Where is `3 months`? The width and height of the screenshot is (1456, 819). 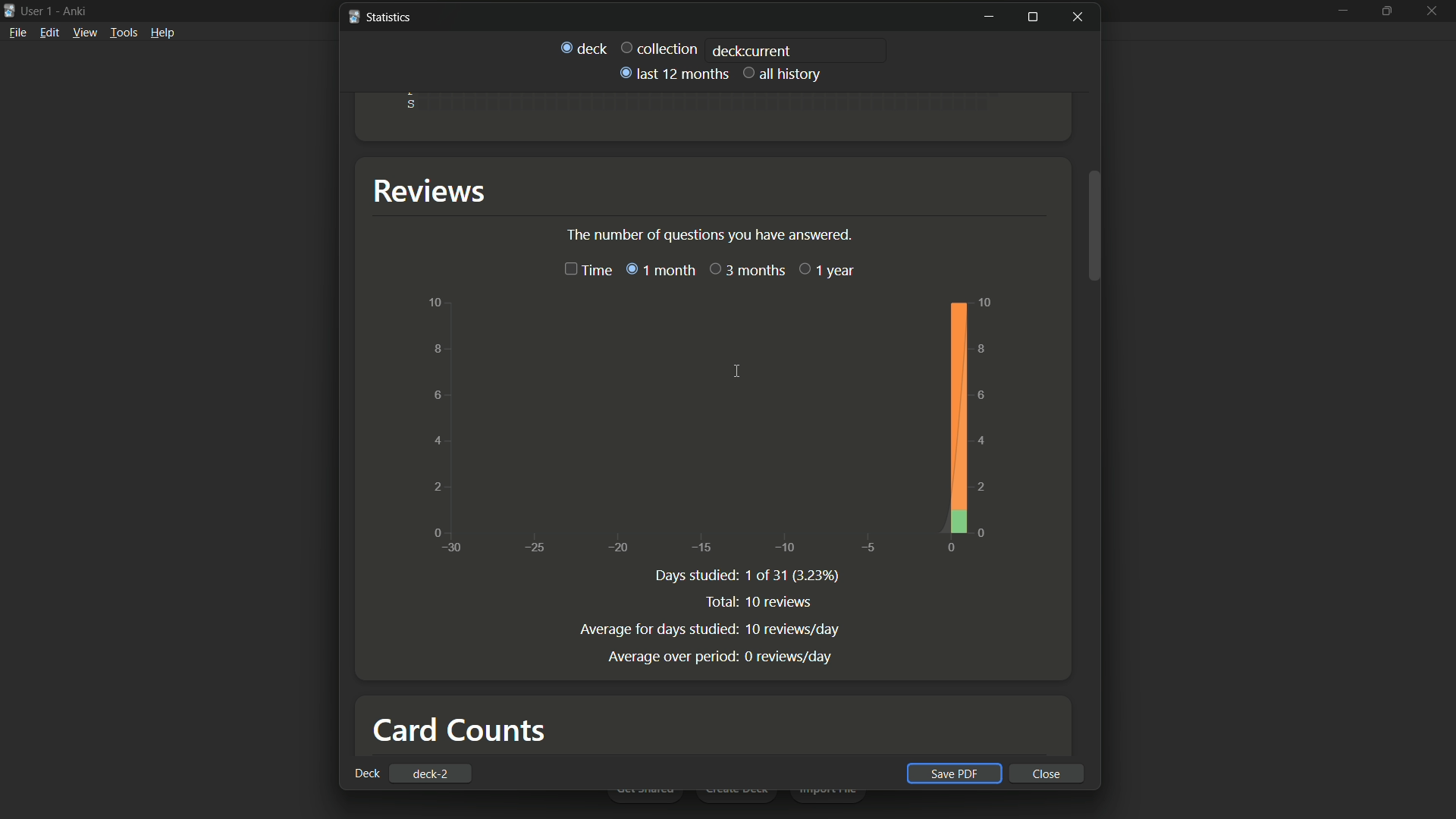
3 months is located at coordinates (748, 270).